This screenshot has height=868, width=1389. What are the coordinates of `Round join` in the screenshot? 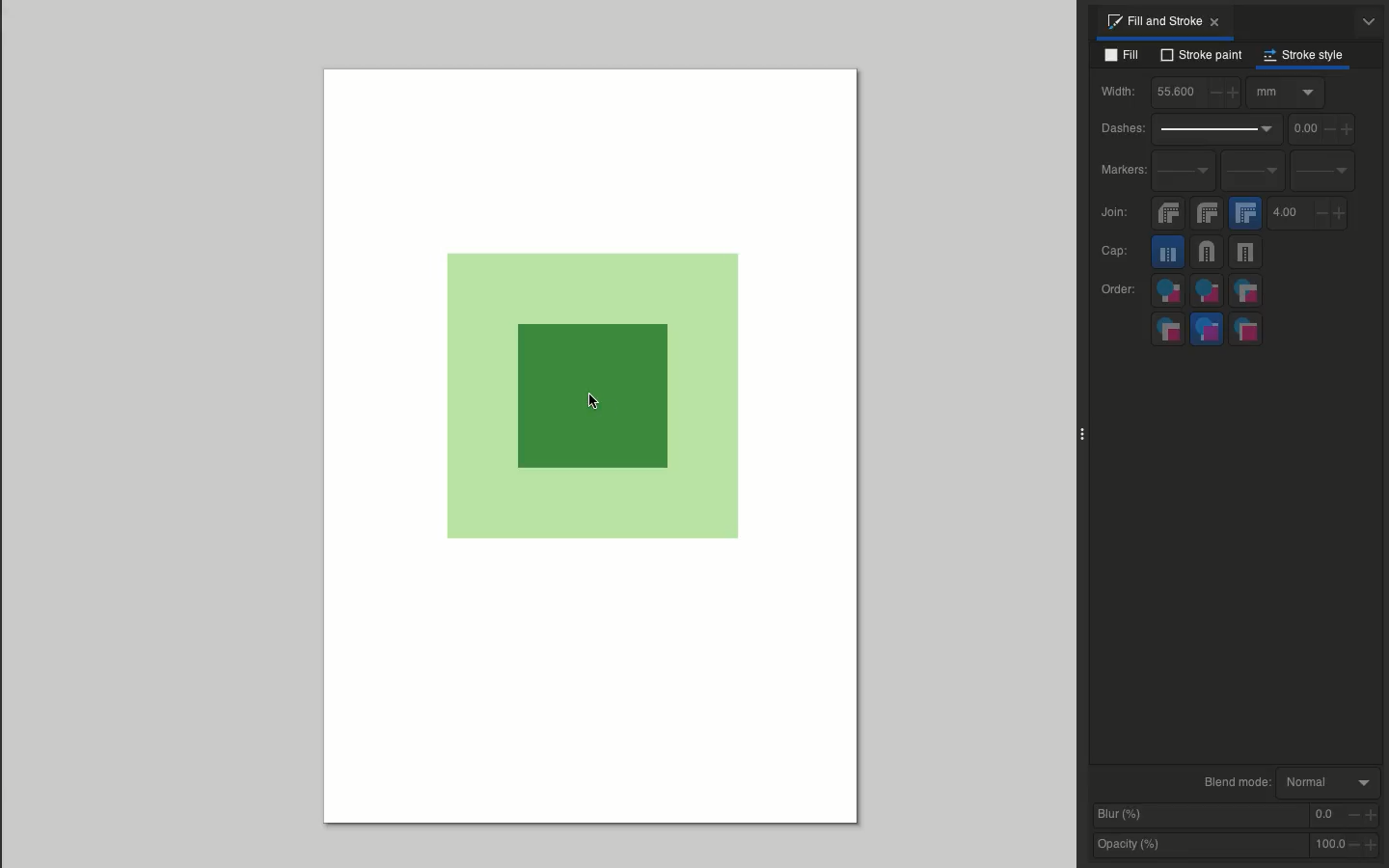 It's located at (1210, 214).